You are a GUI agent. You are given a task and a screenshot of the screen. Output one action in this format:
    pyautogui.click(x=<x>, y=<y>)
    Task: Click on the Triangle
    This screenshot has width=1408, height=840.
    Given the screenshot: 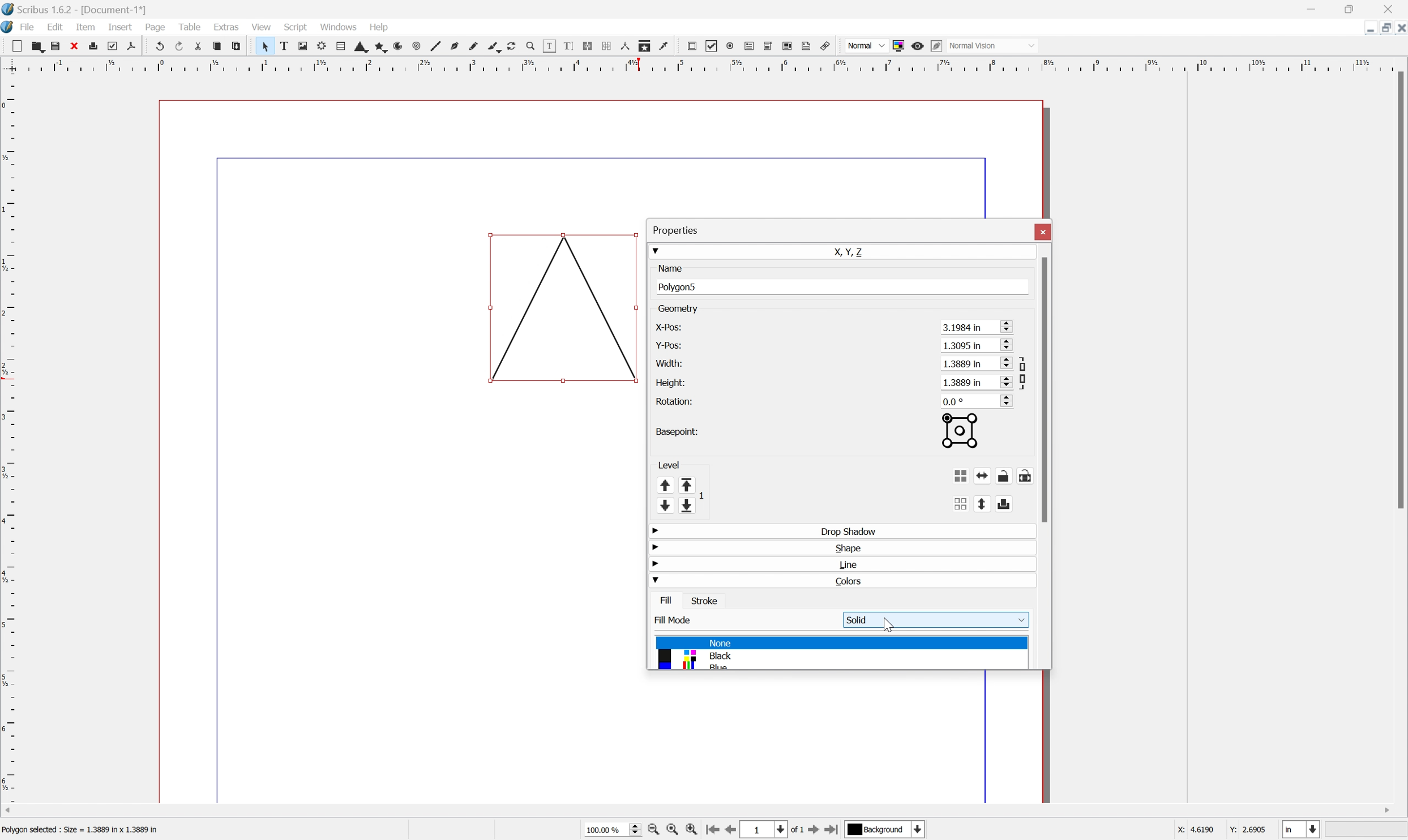 What is the action you would take?
    pyautogui.click(x=564, y=308)
    